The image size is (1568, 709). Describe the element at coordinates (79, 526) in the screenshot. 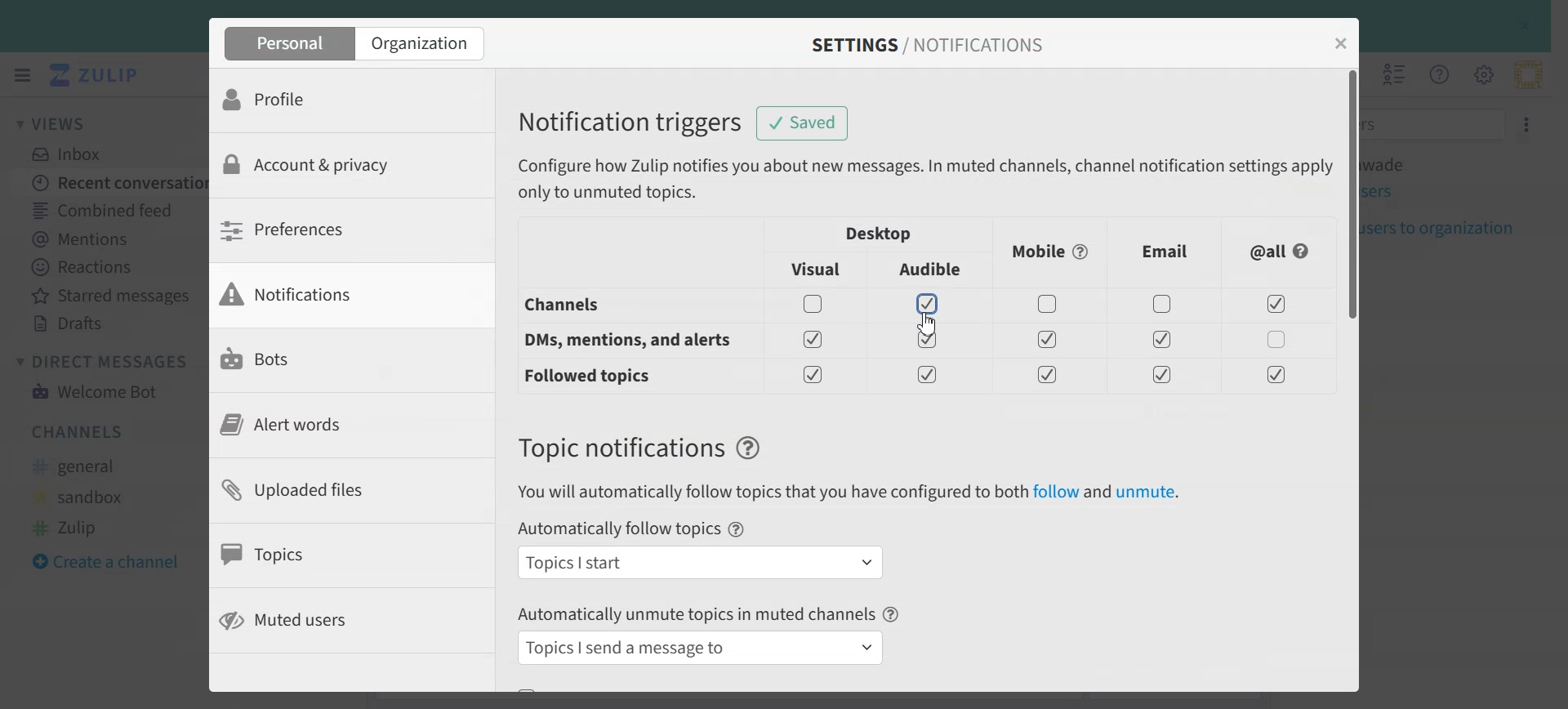

I see `#Zulip` at that location.